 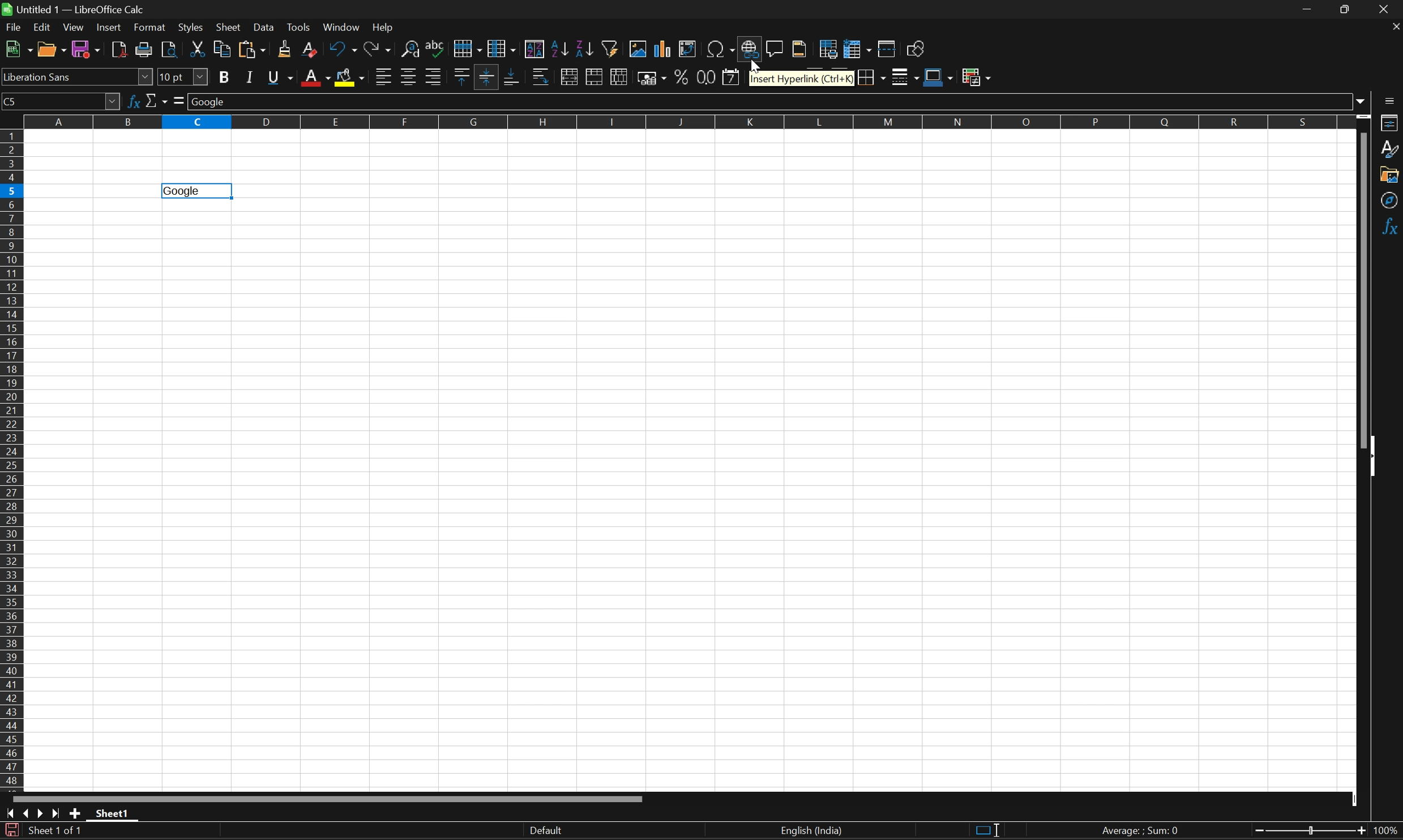 What do you see at coordinates (512, 76) in the screenshot?
I see `Align bottom` at bounding box center [512, 76].